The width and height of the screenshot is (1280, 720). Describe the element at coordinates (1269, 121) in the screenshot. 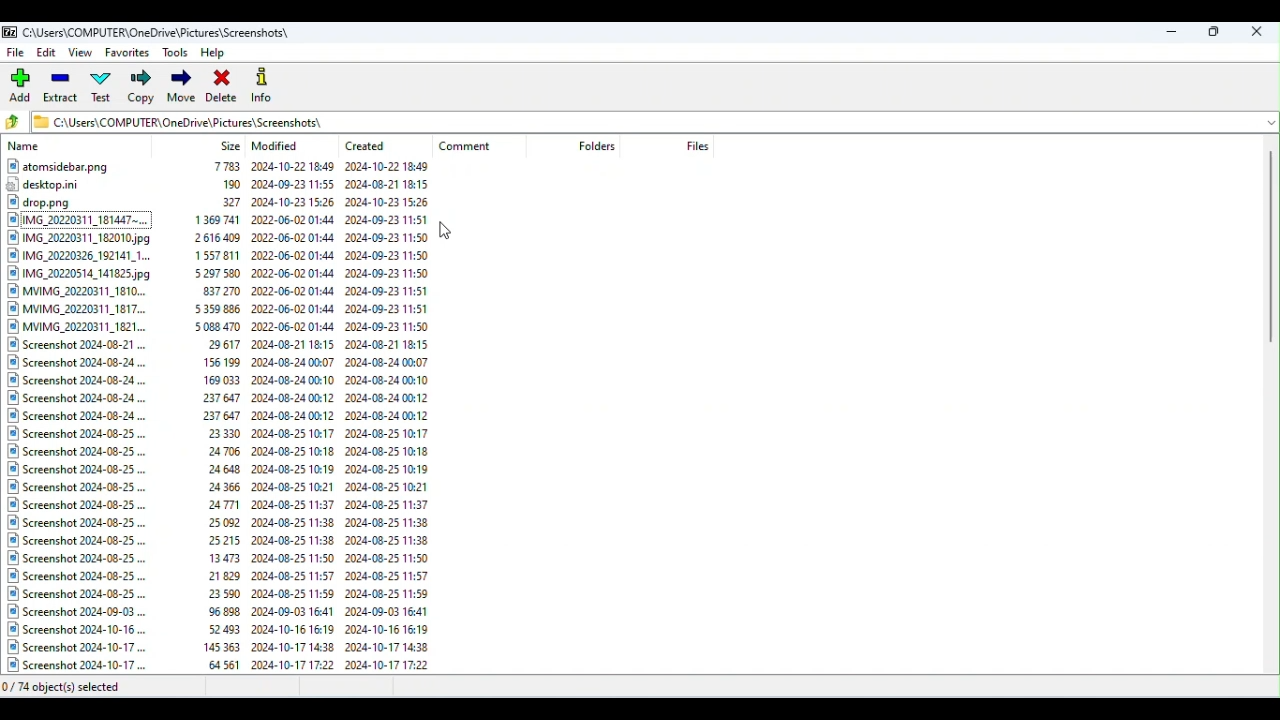

I see `Drop down menu` at that location.